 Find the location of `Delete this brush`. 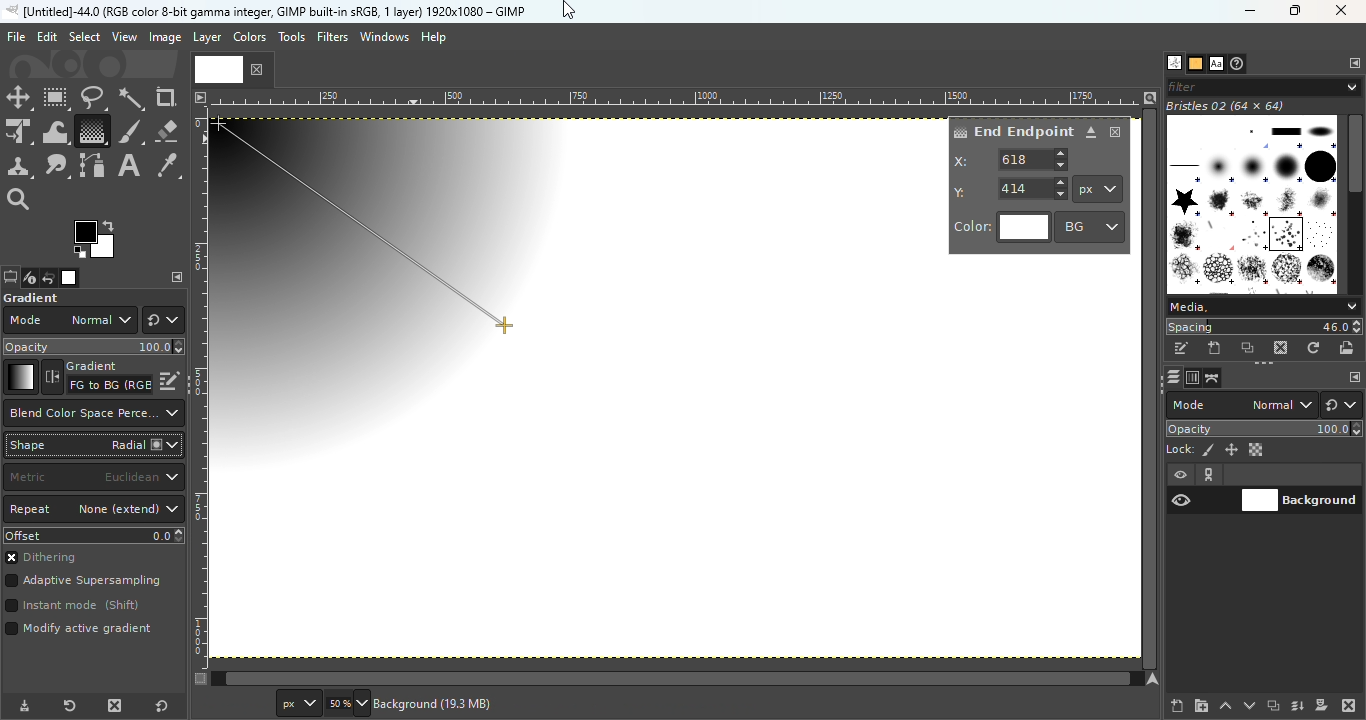

Delete this brush is located at coordinates (1282, 347).